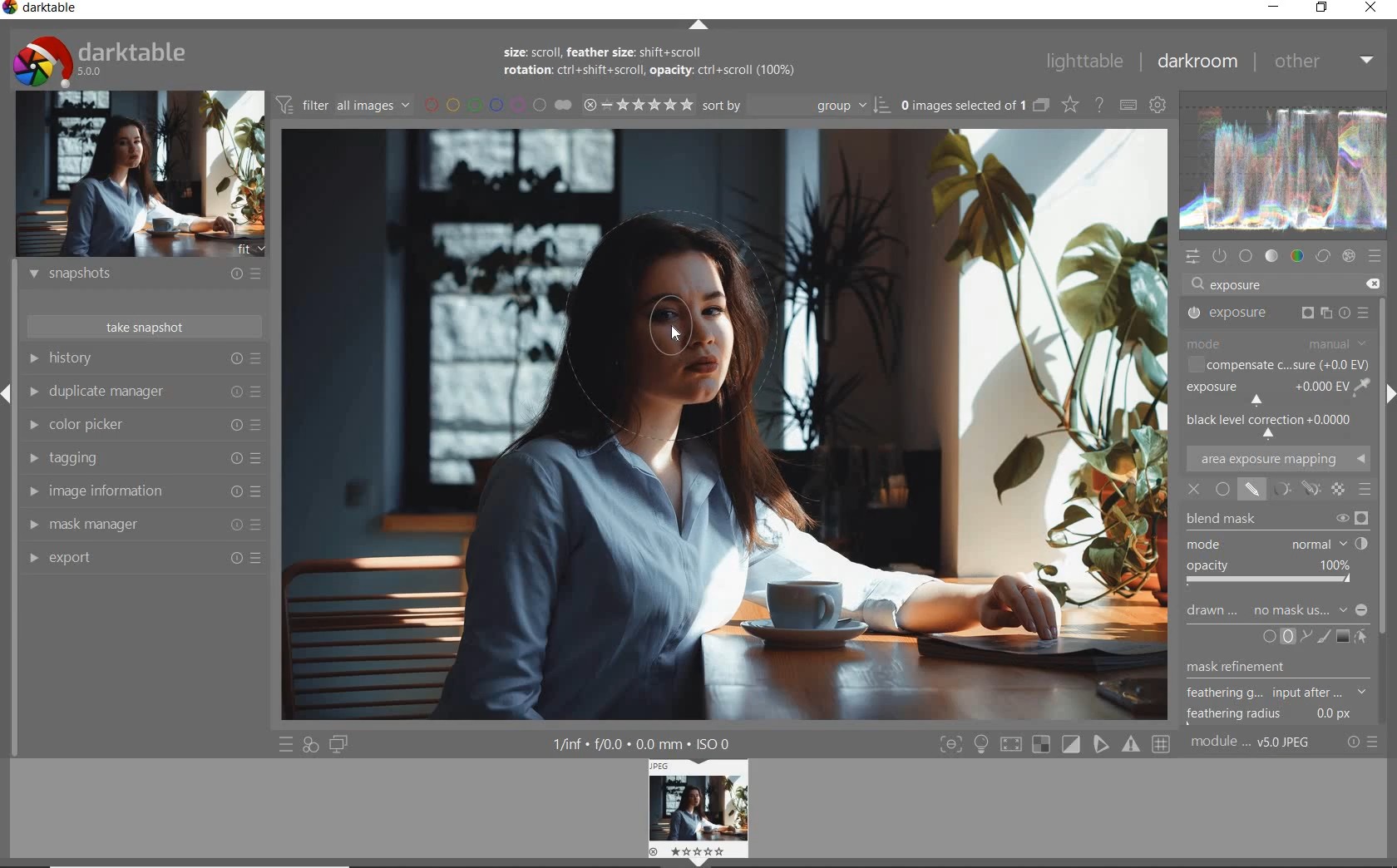 This screenshot has width=1397, height=868. I want to click on cursor, so click(671, 335).